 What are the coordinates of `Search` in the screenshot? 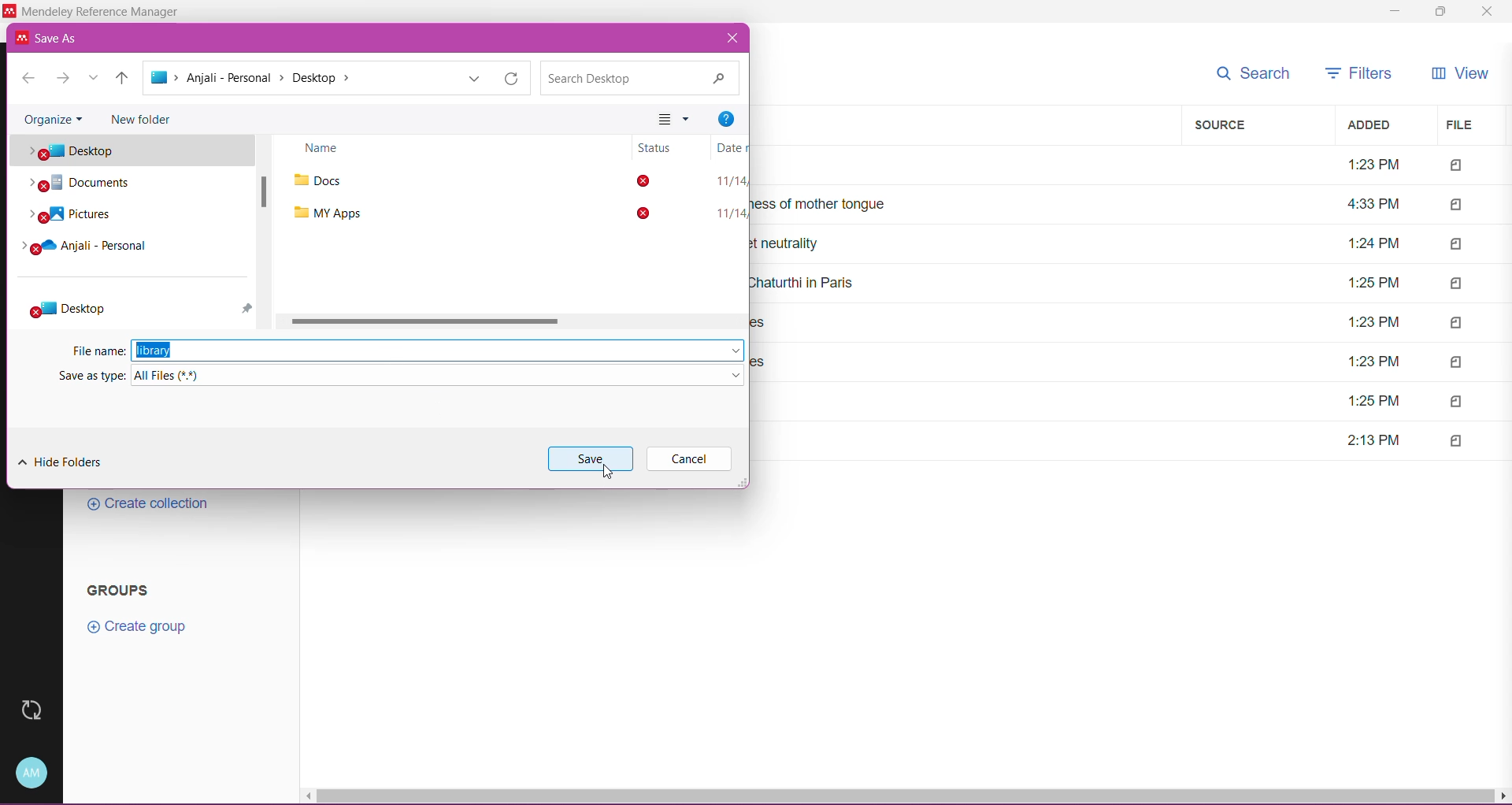 It's located at (1252, 74).